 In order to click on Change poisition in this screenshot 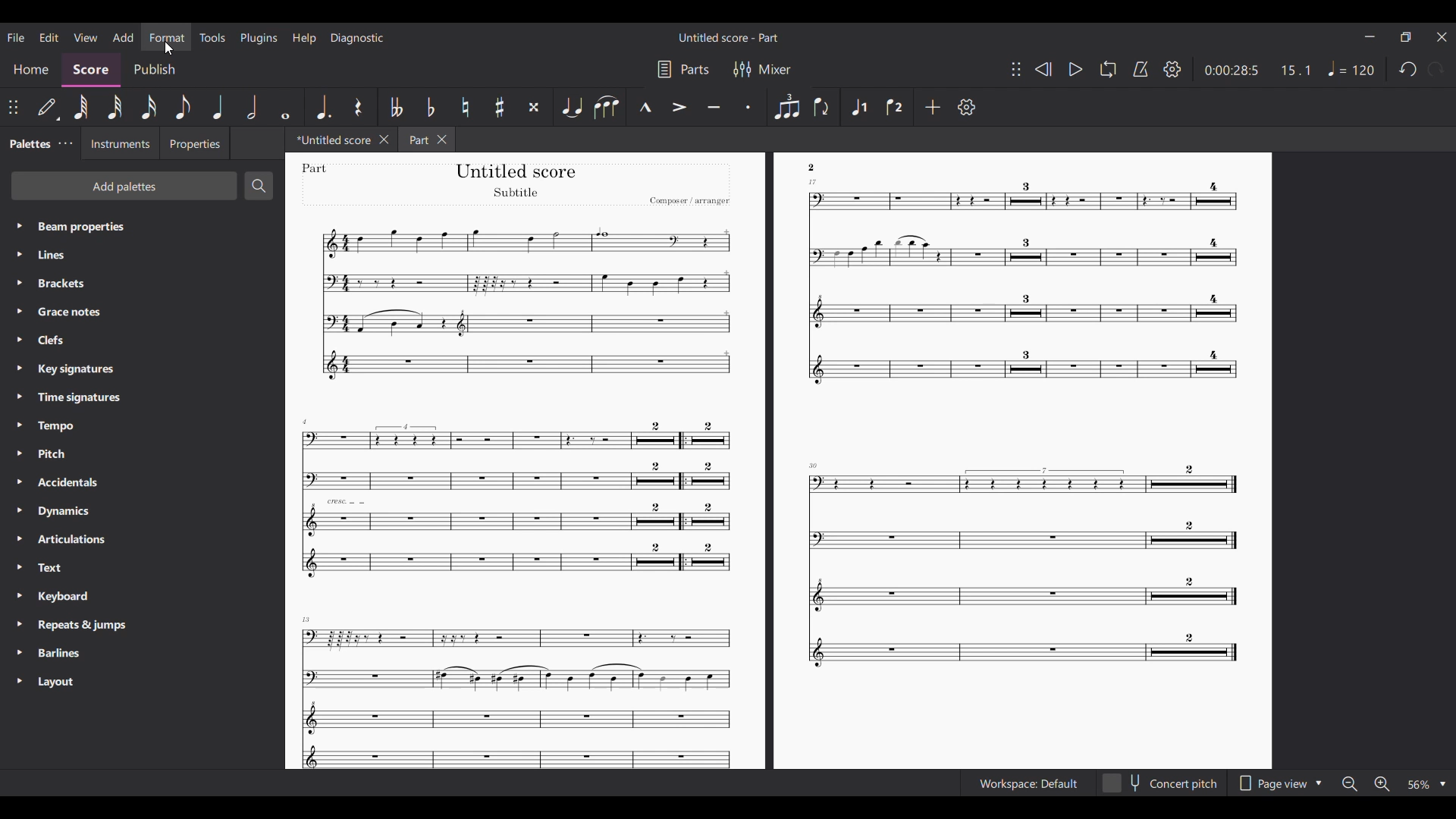, I will do `click(12, 108)`.